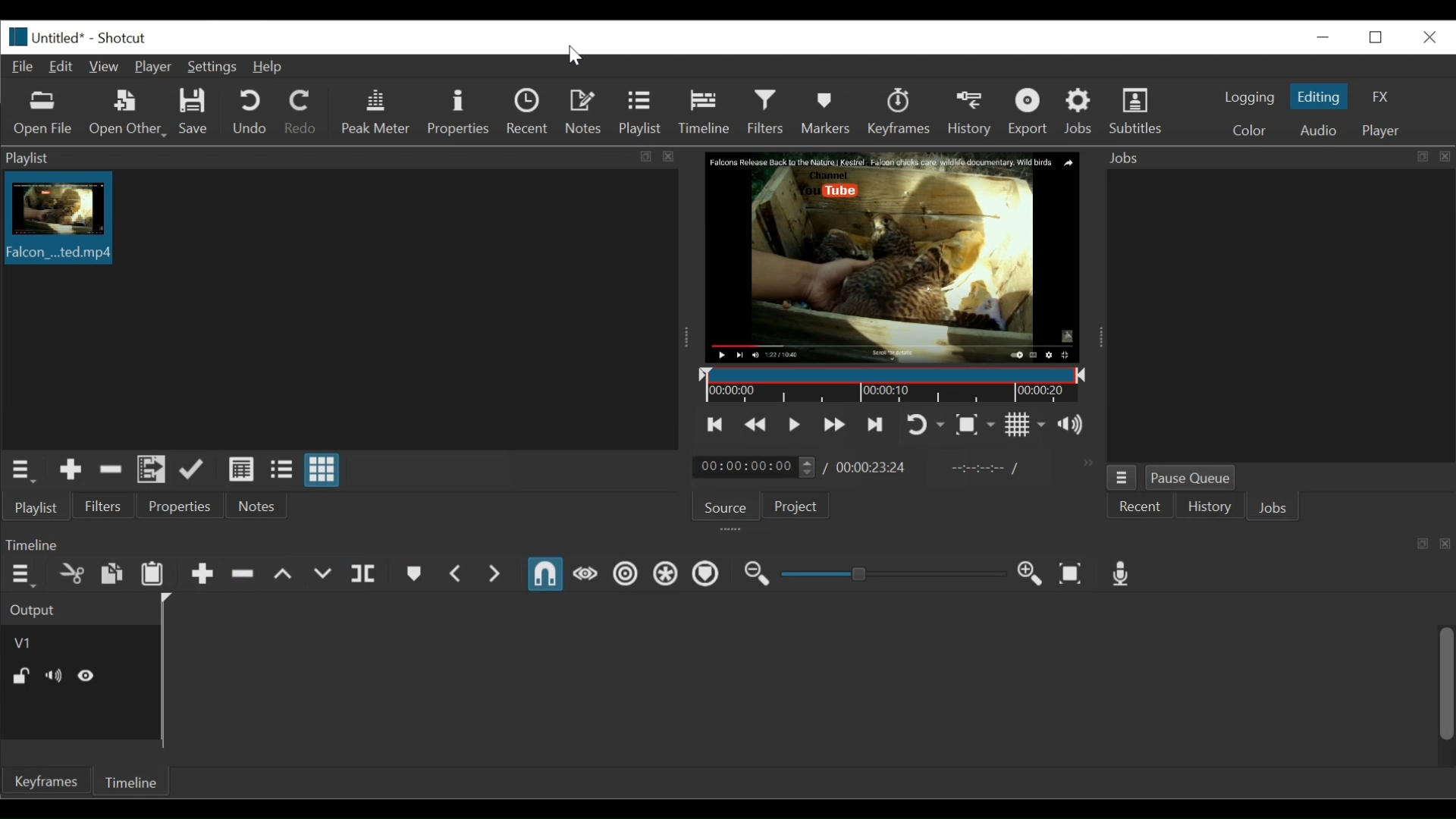 The height and width of the screenshot is (819, 1456). What do you see at coordinates (1213, 508) in the screenshot?
I see `History` at bounding box center [1213, 508].